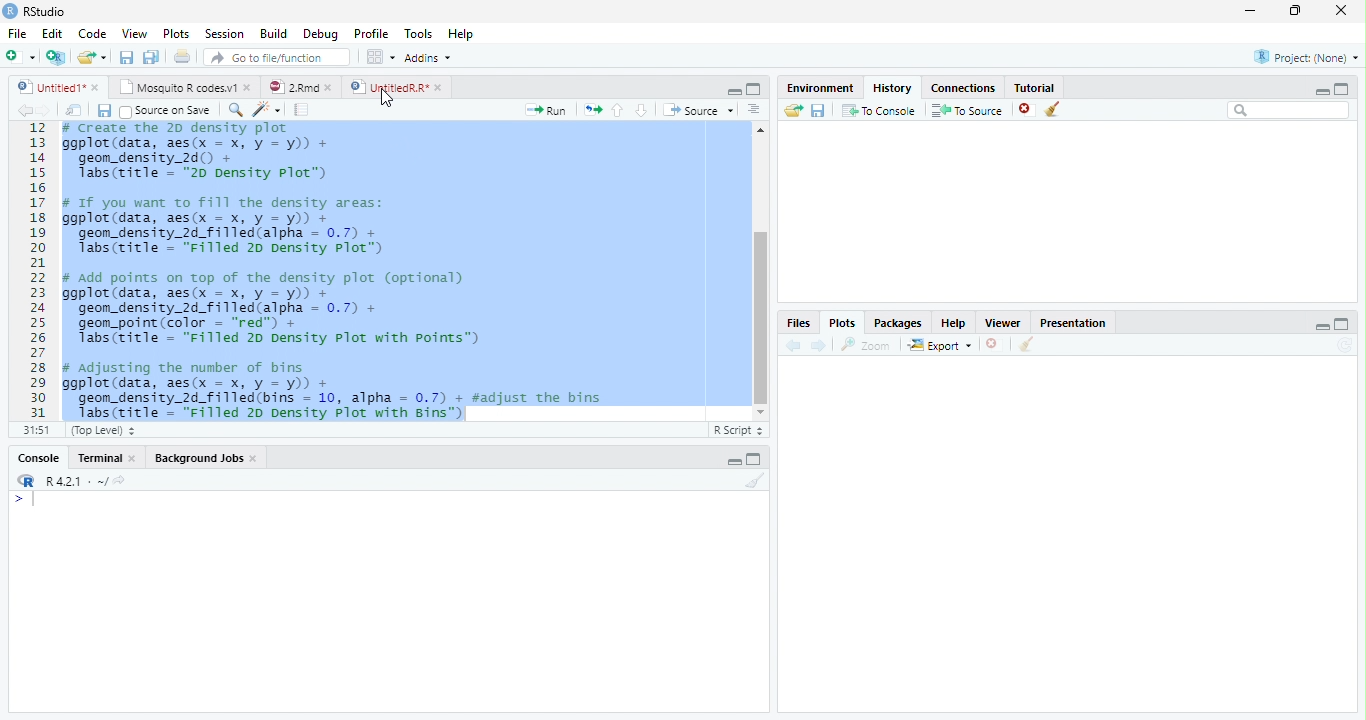 The image size is (1366, 720). Describe the element at coordinates (151, 56) in the screenshot. I see `save all open document` at that location.